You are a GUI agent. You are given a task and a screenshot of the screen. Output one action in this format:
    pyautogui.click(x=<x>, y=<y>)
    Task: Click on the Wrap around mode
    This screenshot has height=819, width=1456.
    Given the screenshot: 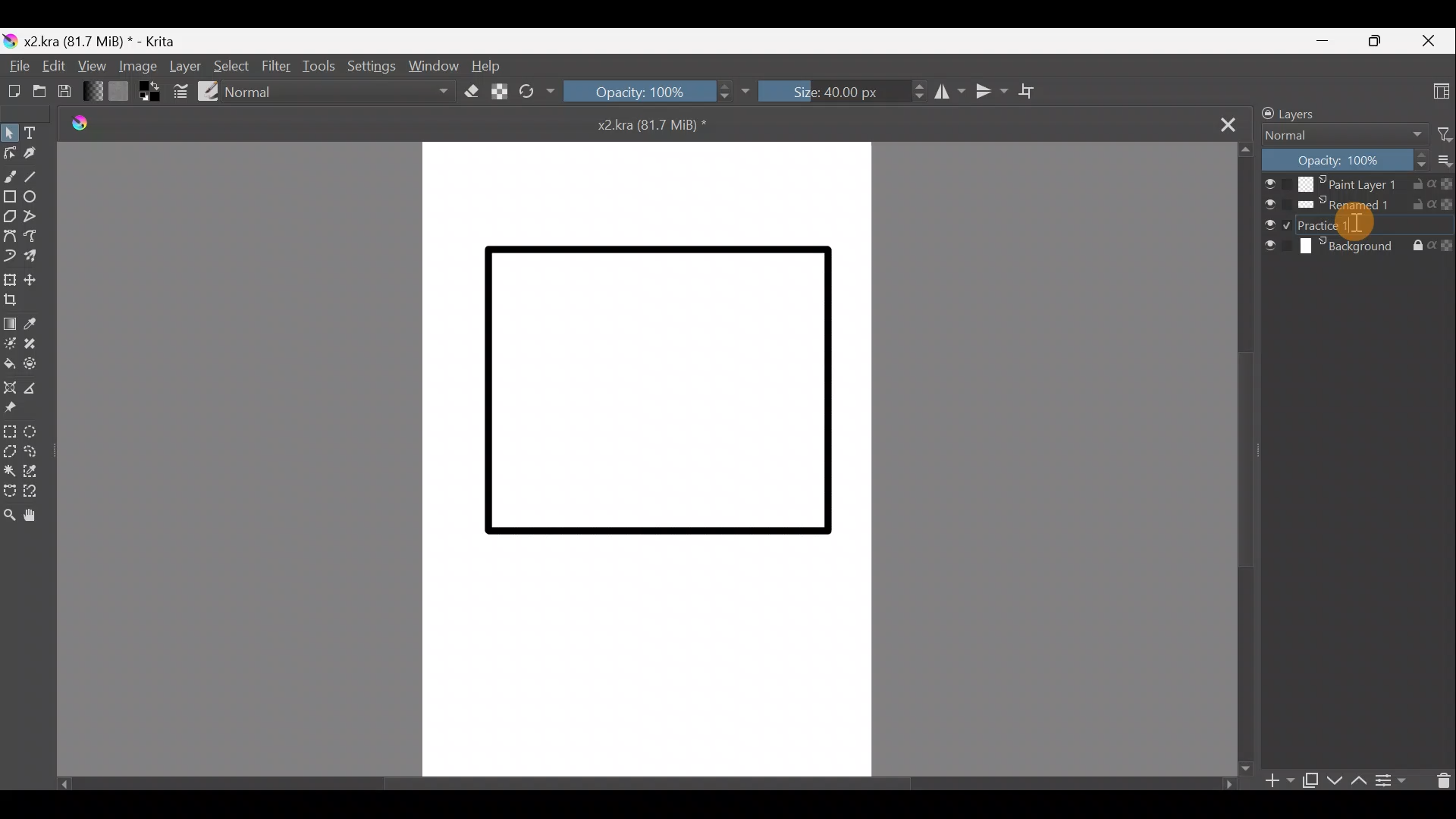 What is the action you would take?
    pyautogui.click(x=1032, y=90)
    